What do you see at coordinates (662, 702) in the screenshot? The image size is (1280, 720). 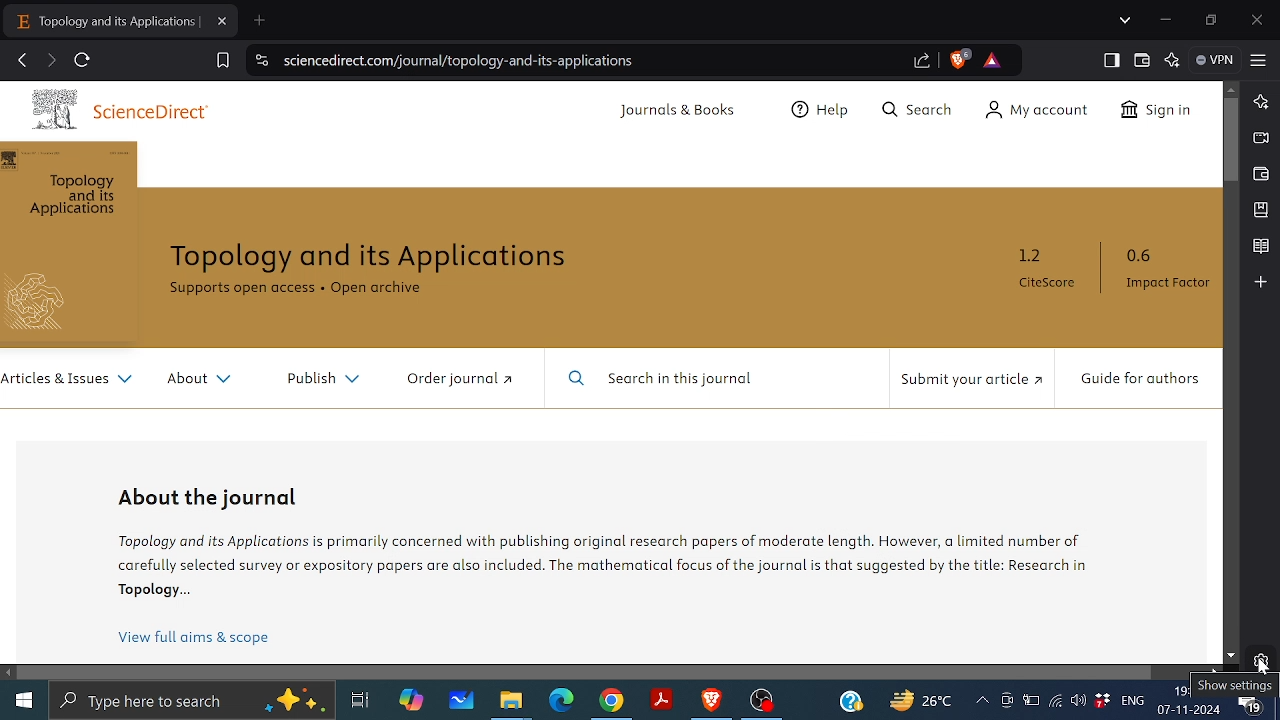 I see `Adobe reader` at bounding box center [662, 702].